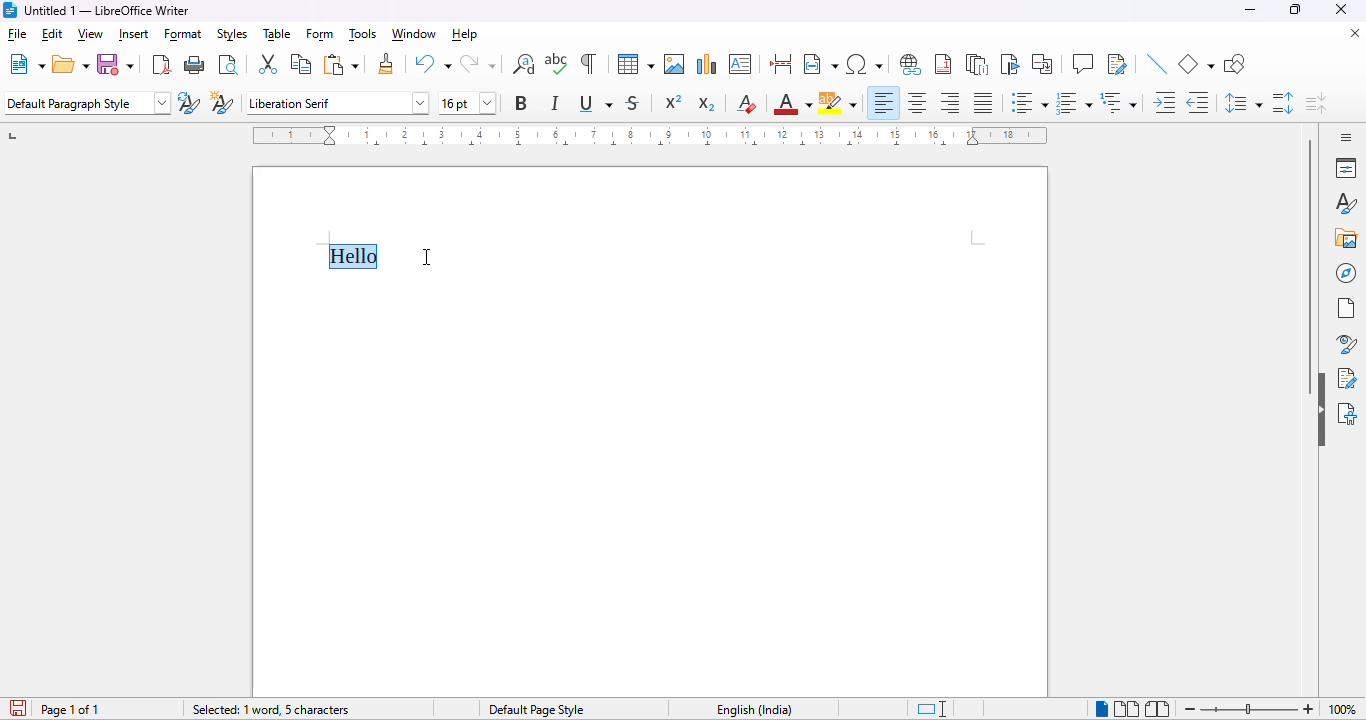 The height and width of the screenshot is (720, 1366). I want to click on italic, so click(556, 104).